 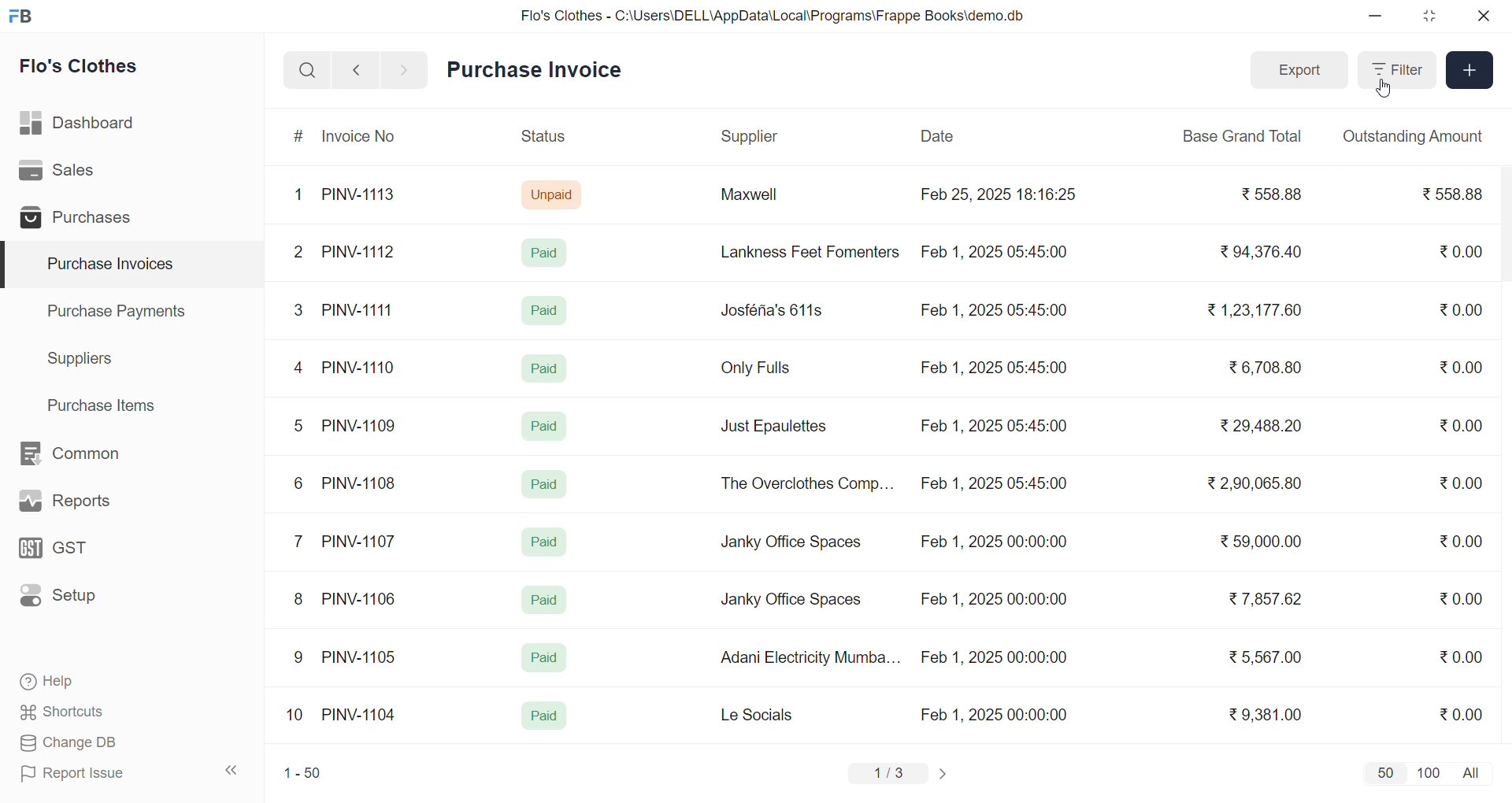 What do you see at coordinates (82, 126) in the screenshot?
I see `Dashboard` at bounding box center [82, 126].